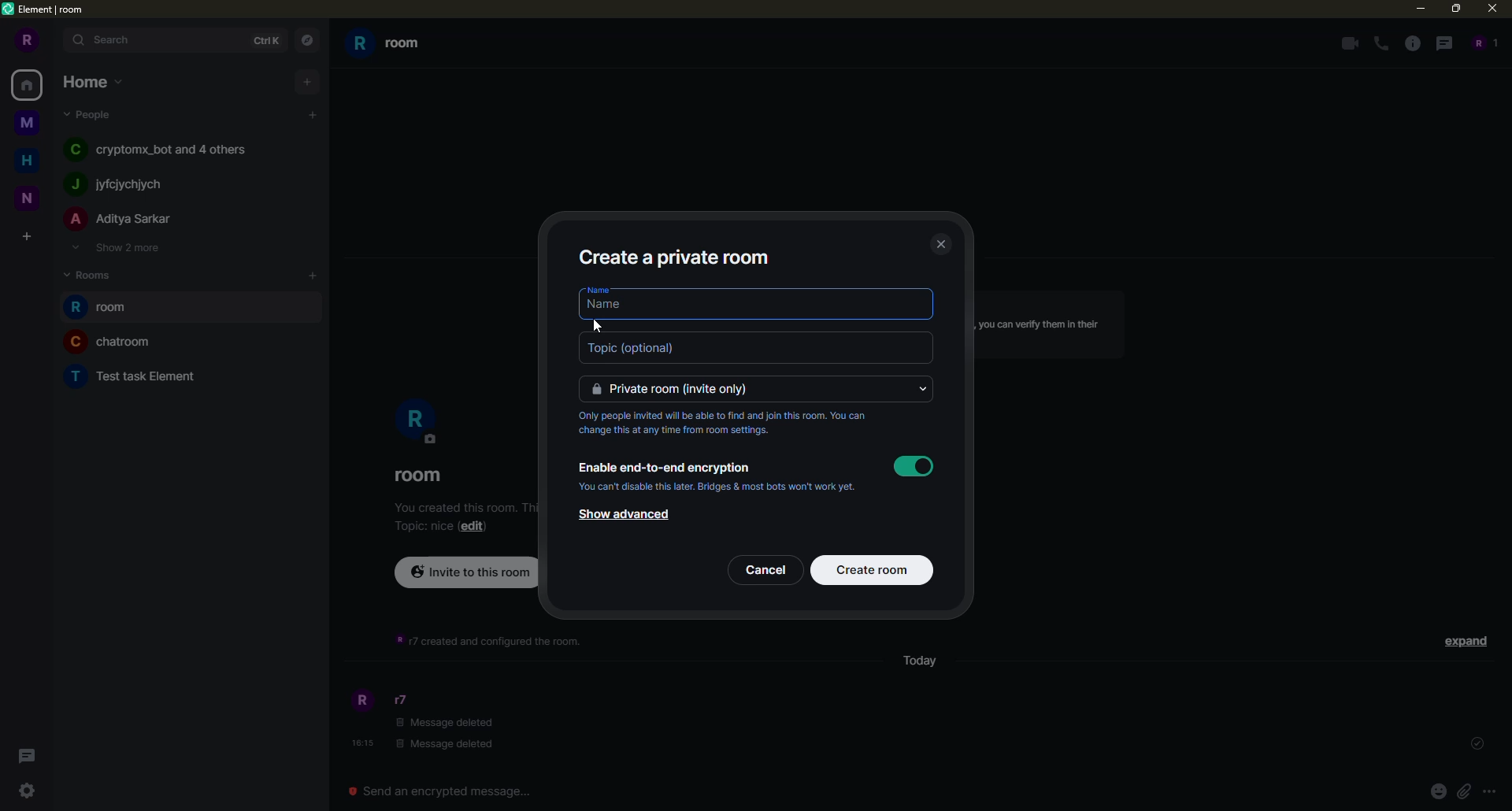  I want to click on  Send an encrypted message..., so click(443, 792).